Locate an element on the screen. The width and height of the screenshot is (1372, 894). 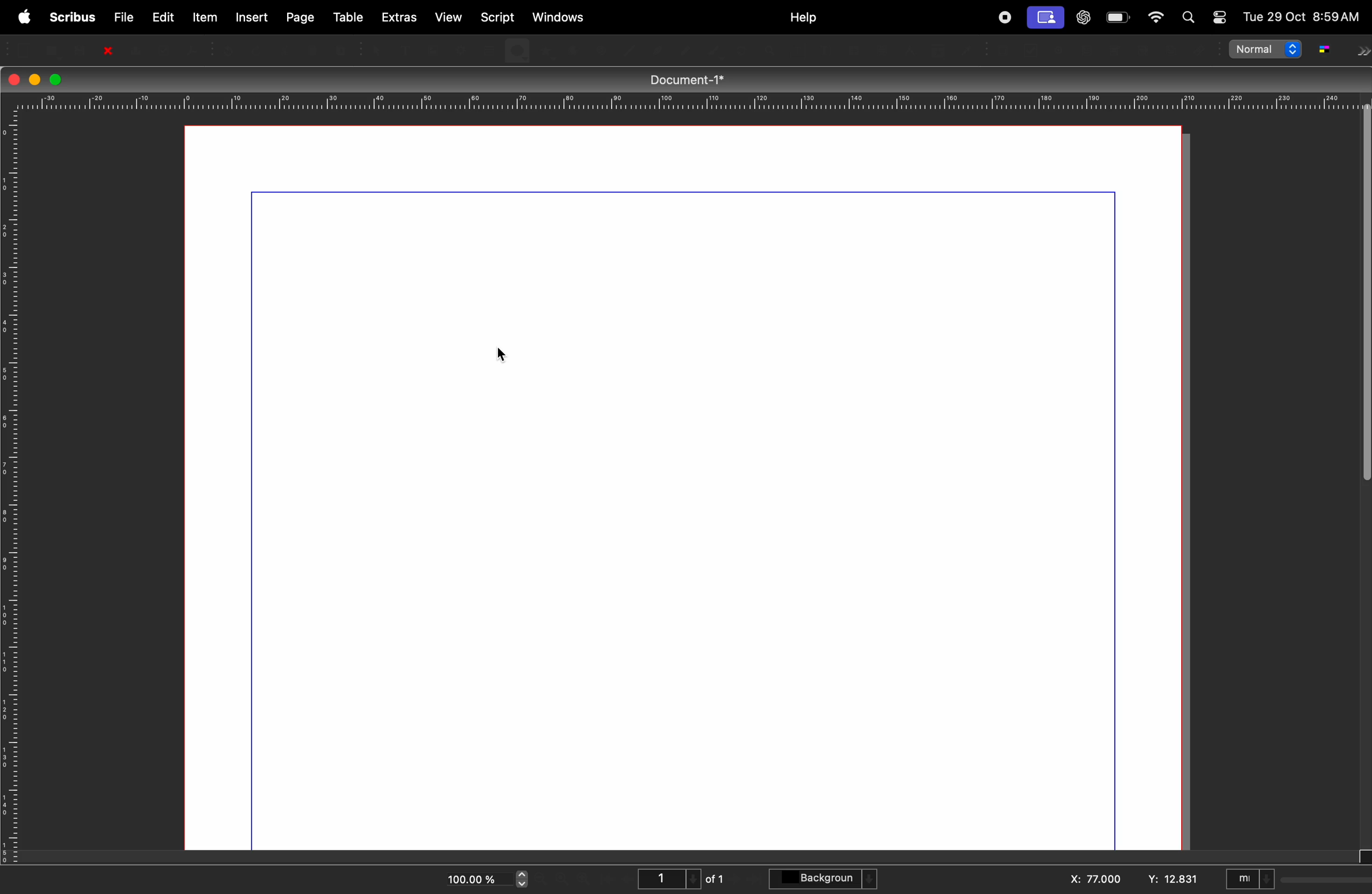
new is located at coordinates (25, 48).